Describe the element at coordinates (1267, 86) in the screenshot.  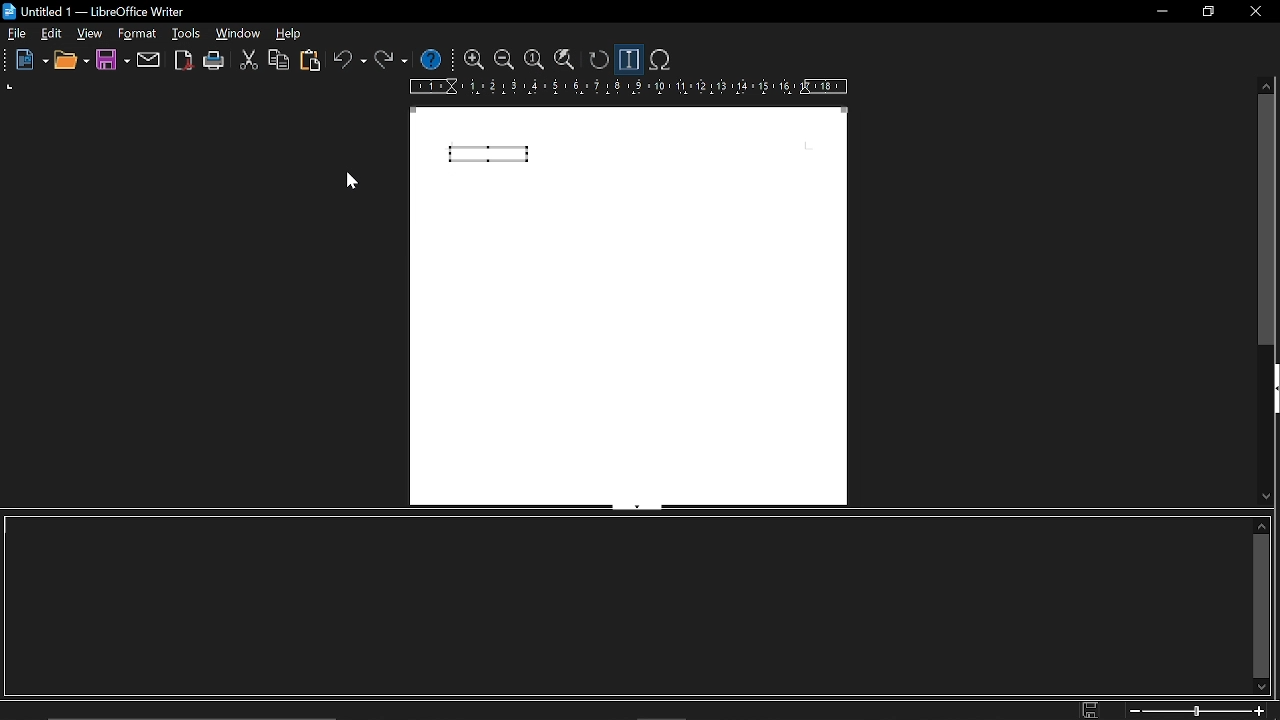
I see `move up` at that location.